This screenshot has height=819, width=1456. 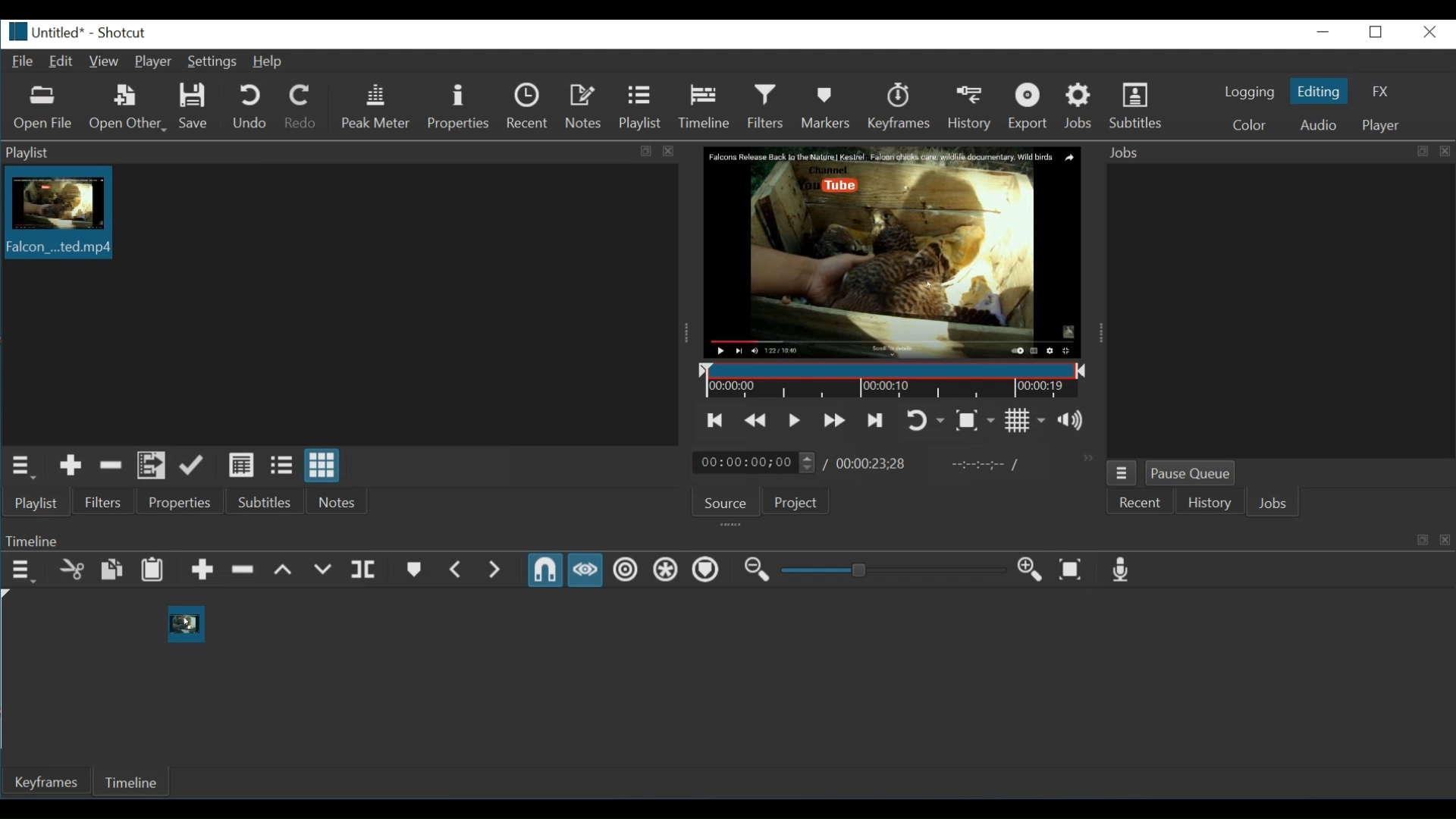 I want to click on View as icon, so click(x=324, y=465).